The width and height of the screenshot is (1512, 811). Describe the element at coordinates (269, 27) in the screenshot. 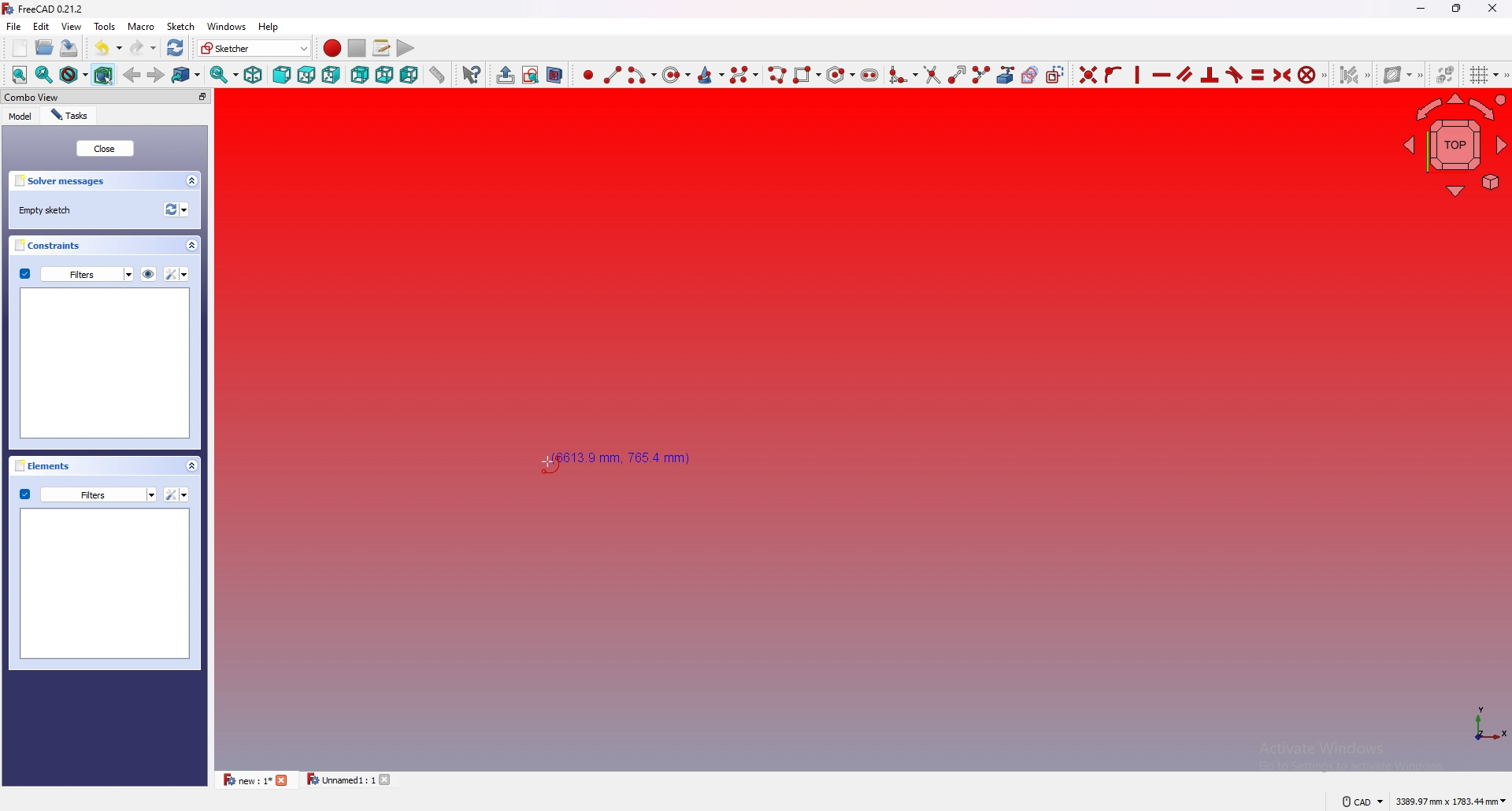

I see `help` at that location.